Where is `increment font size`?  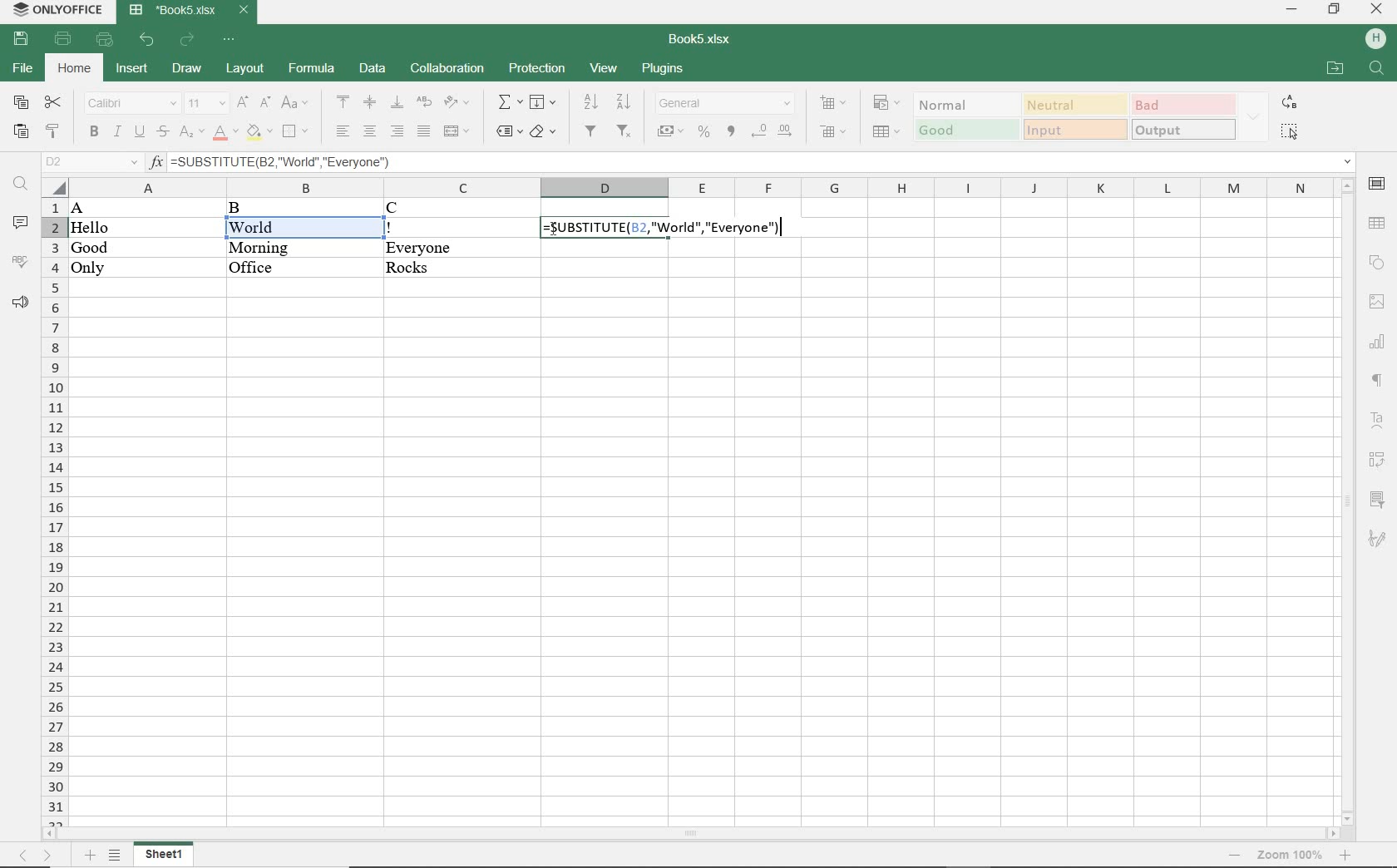 increment font size is located at coordinates (244, 104).